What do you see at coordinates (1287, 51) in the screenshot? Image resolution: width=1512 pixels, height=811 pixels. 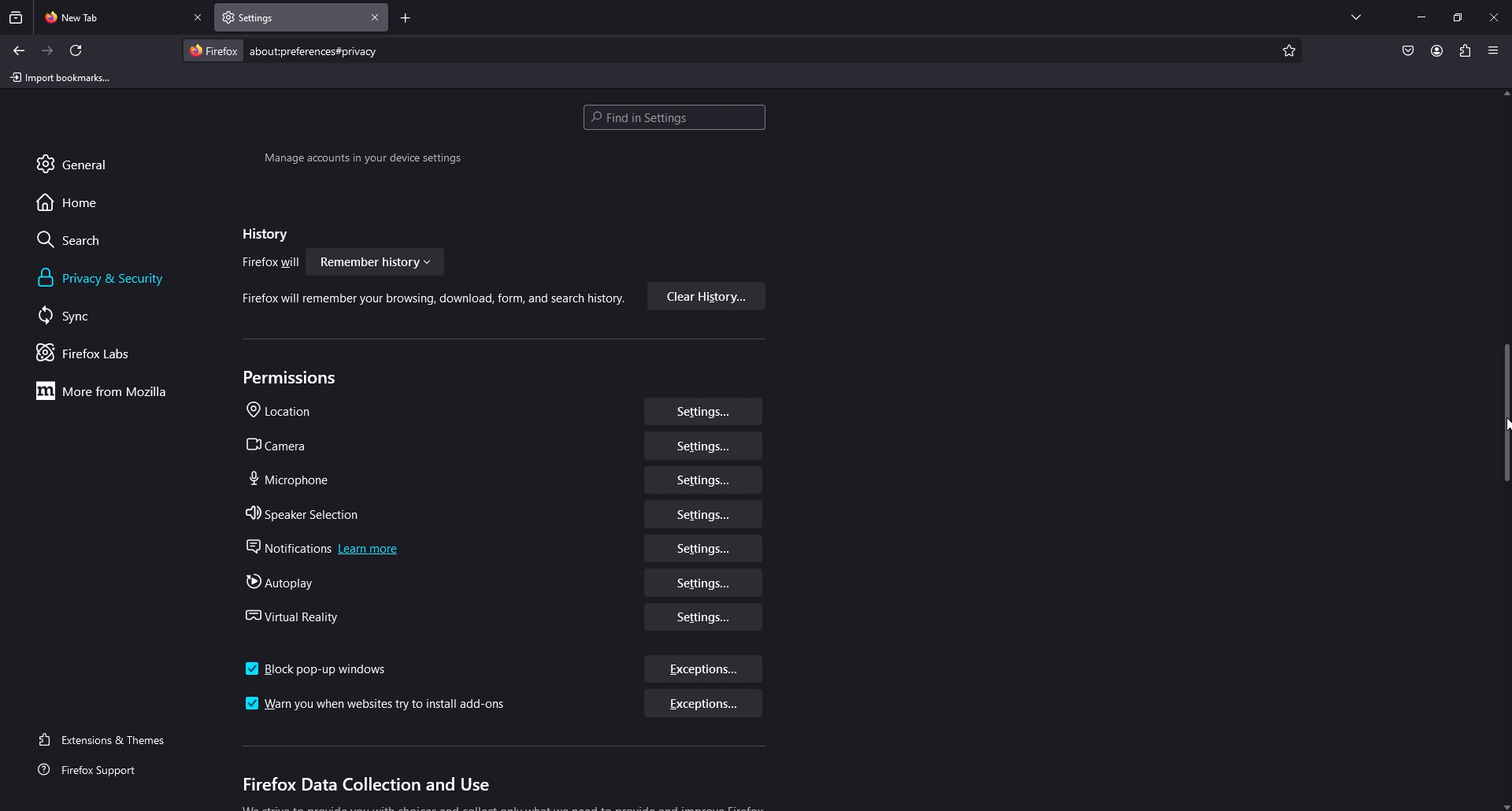 I see `add bookmark` at bounding box center [1287, 51].